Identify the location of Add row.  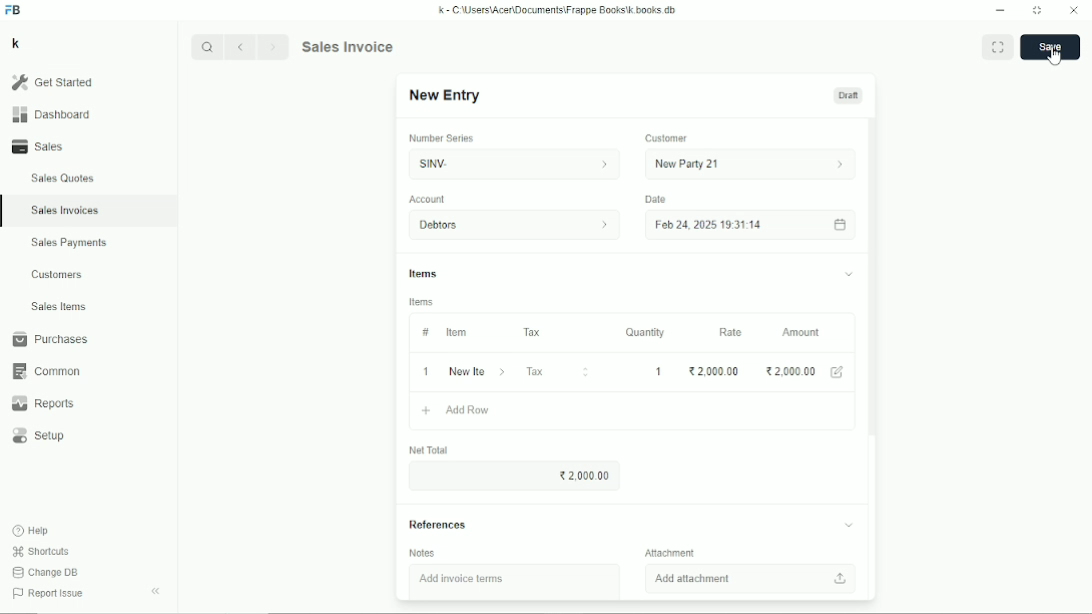
(455, 411).